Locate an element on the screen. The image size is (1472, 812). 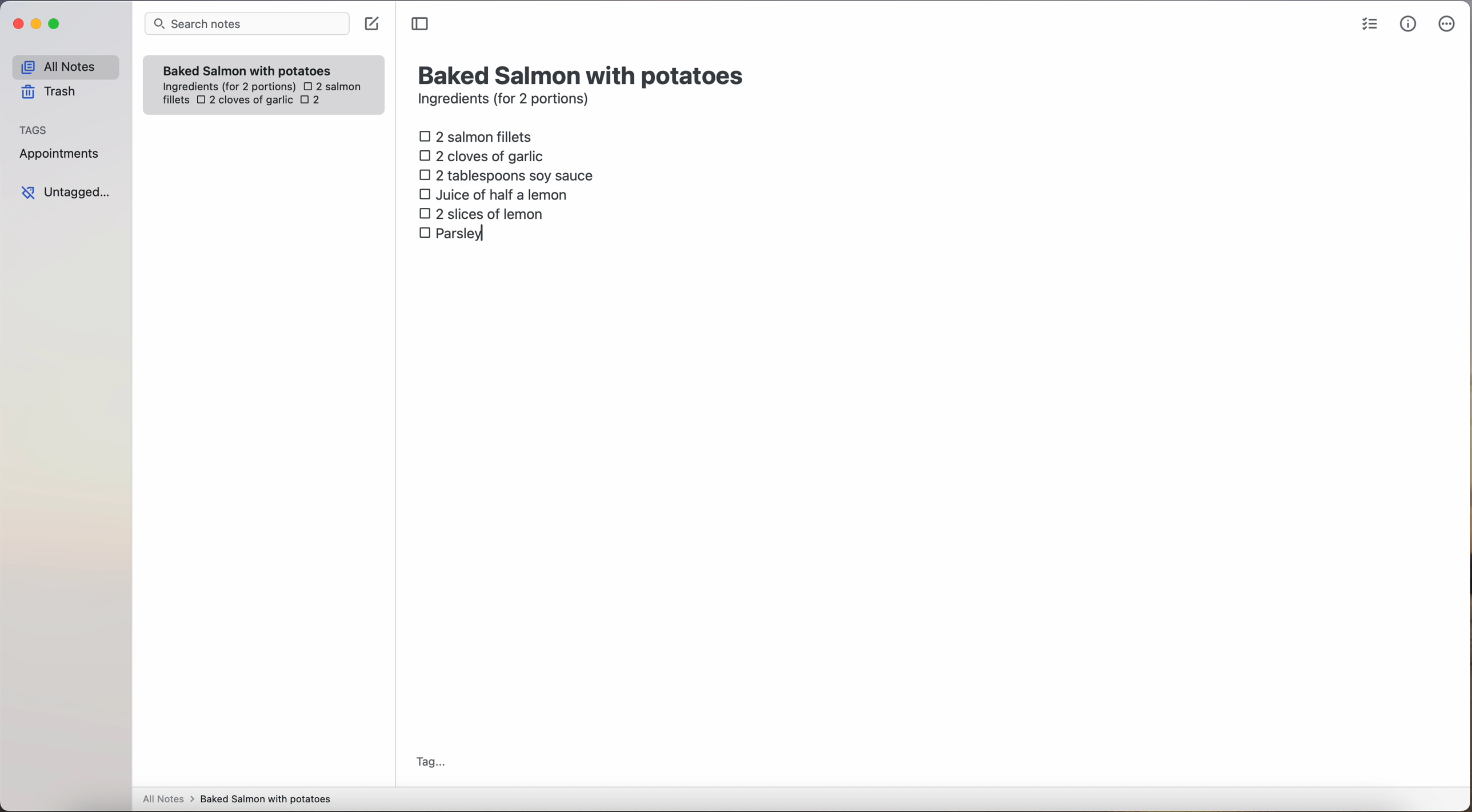
all notes > baked Salmon with potatoes is located at coordinates (237, 798).